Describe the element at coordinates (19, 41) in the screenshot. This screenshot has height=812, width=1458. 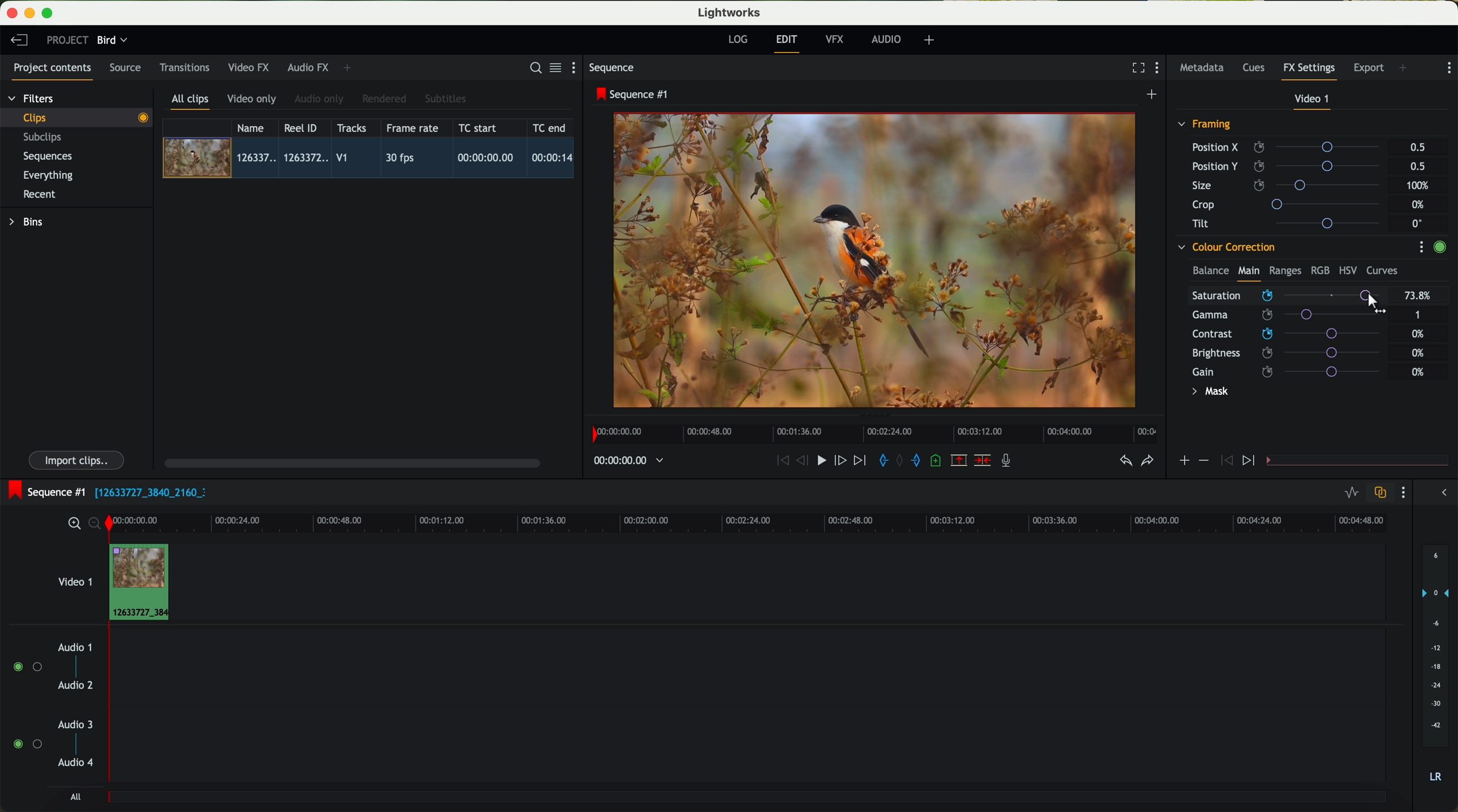
I see `leave` at that location.